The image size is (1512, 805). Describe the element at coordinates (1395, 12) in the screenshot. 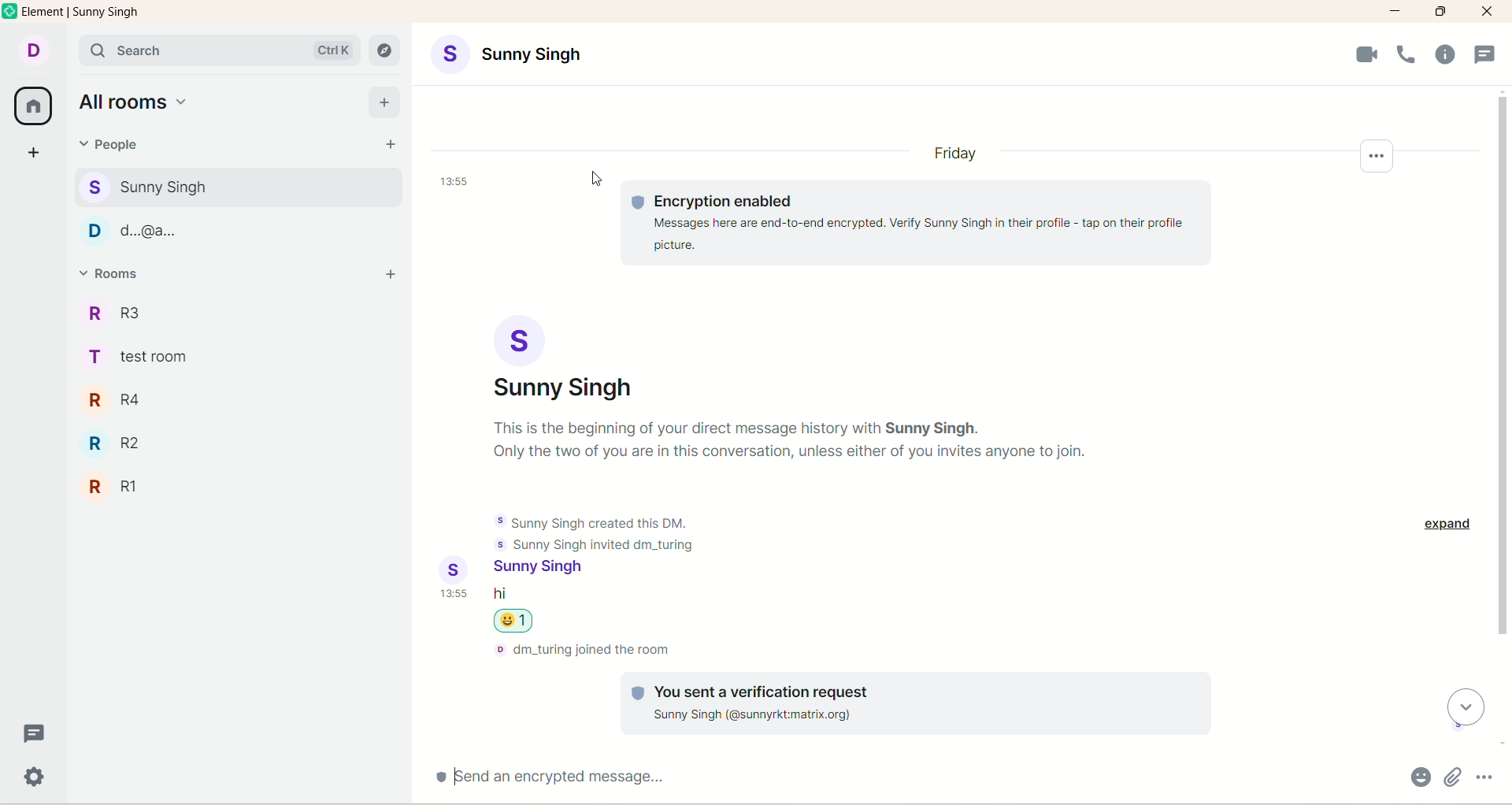

I see `minimize` at that location.